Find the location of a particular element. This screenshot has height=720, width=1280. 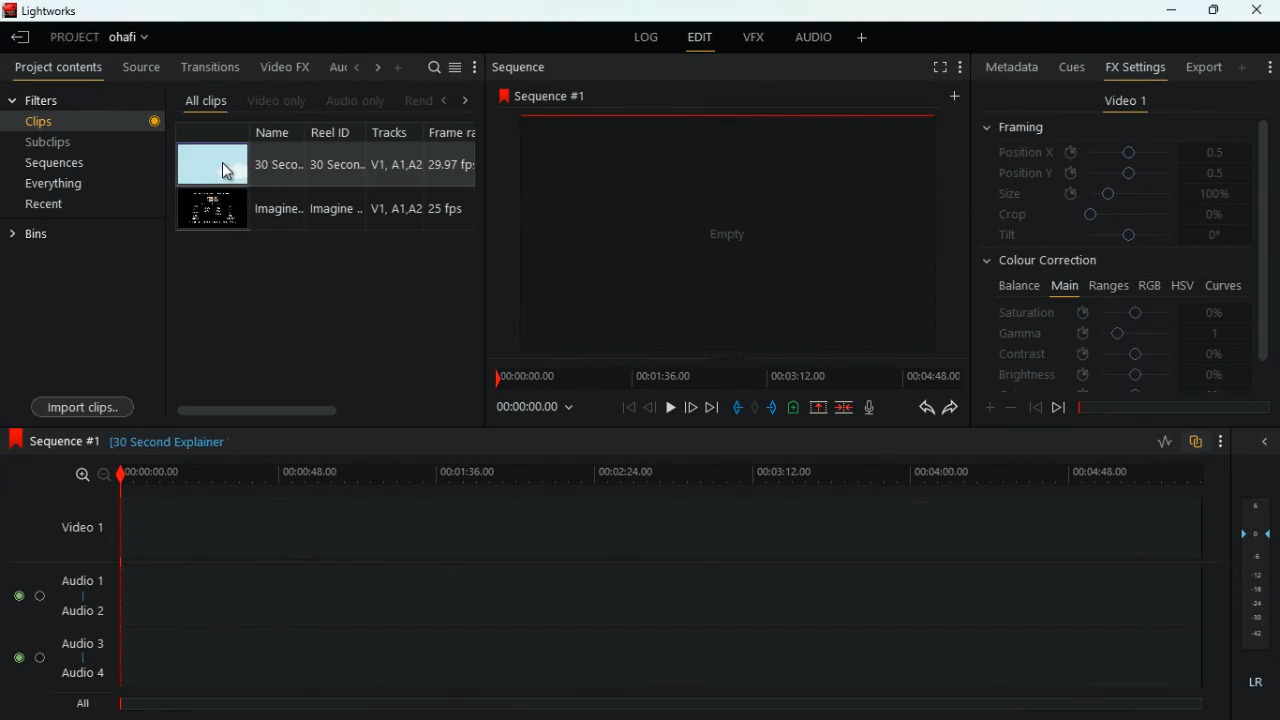

au is located at coordinates (331, 67).